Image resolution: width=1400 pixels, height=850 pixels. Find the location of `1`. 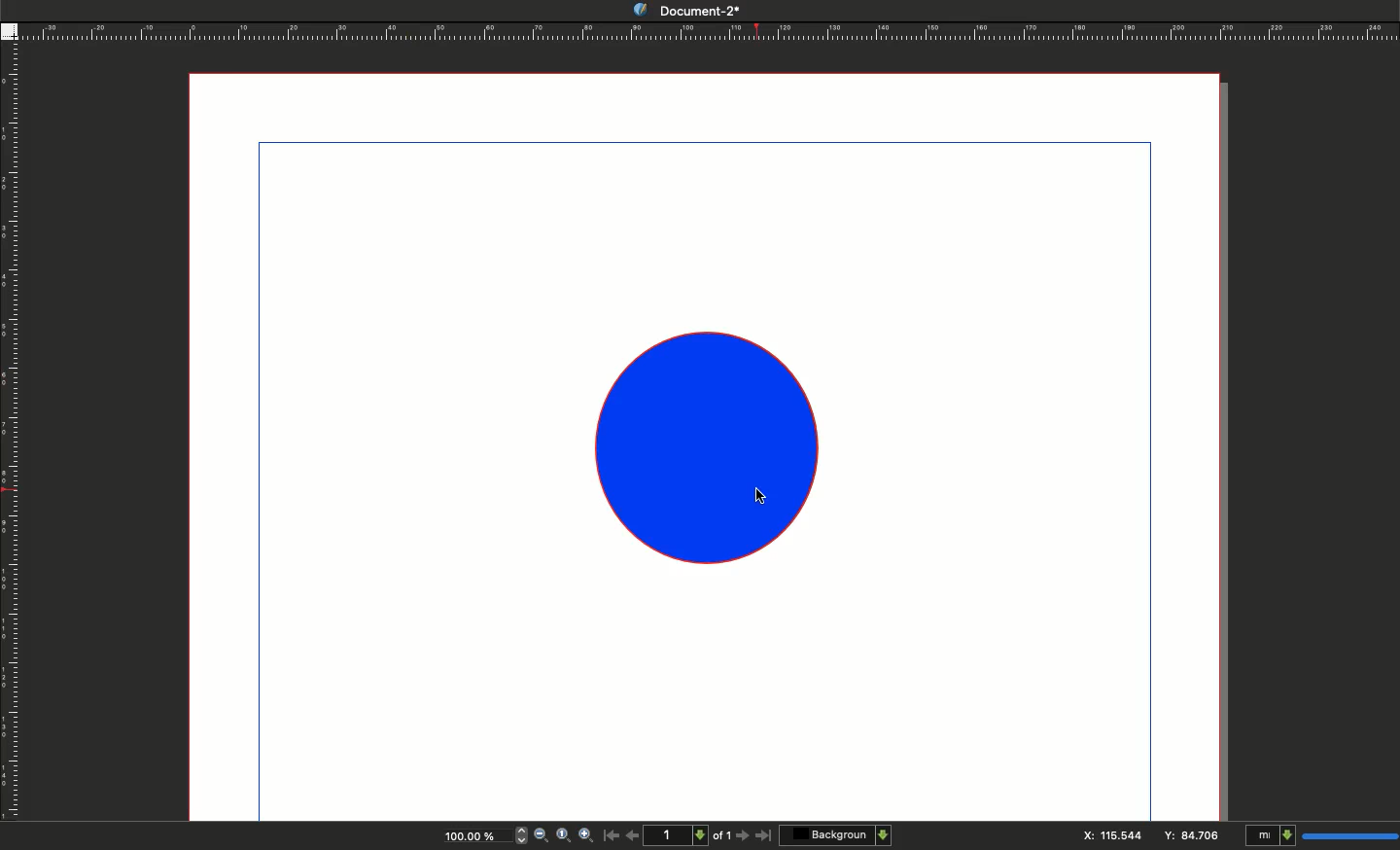

1 is located at coordinates (679, 834).